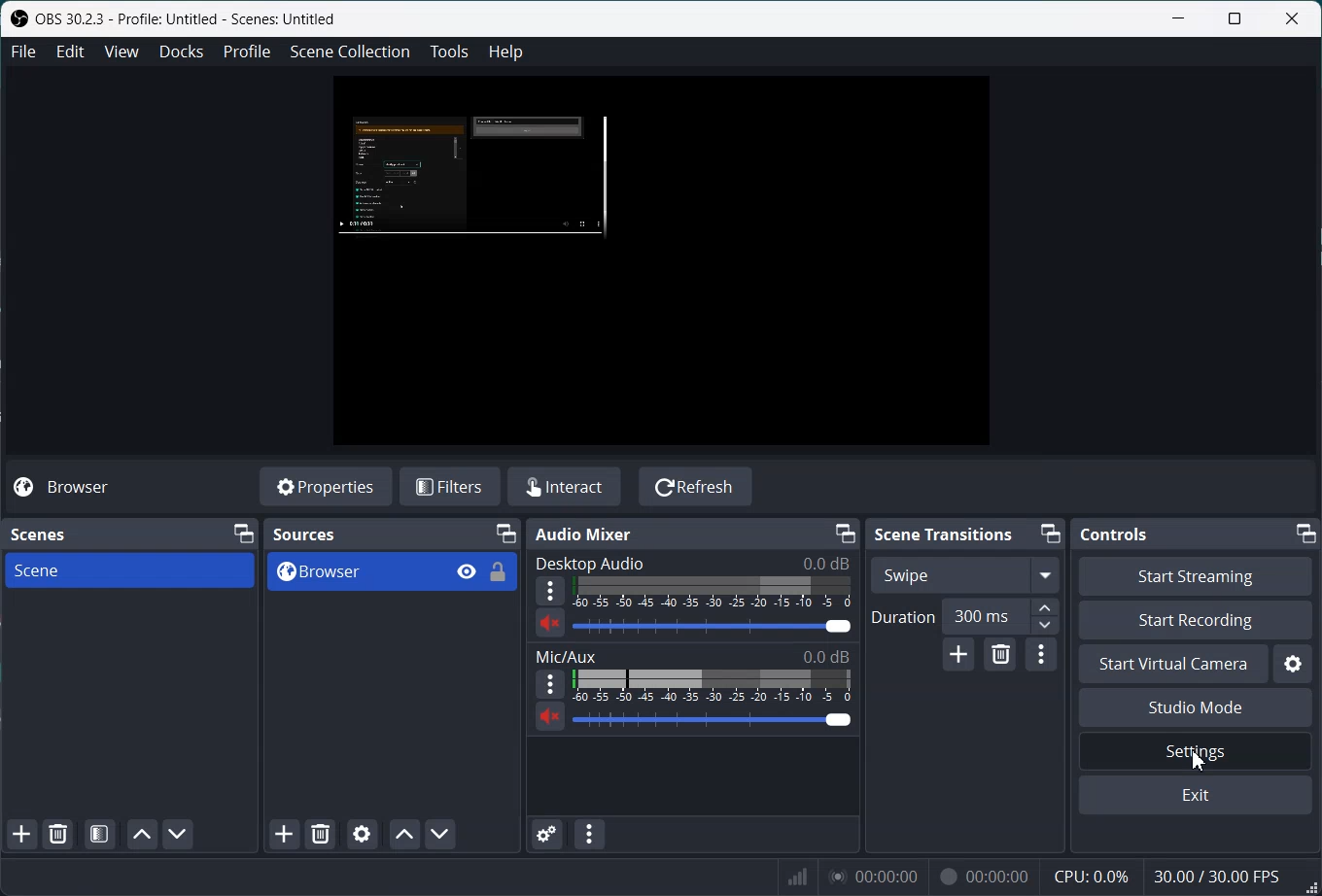 This screenshot has height=896, width=1322. I want to click on Remove Selected Scene, so click(58, 835).